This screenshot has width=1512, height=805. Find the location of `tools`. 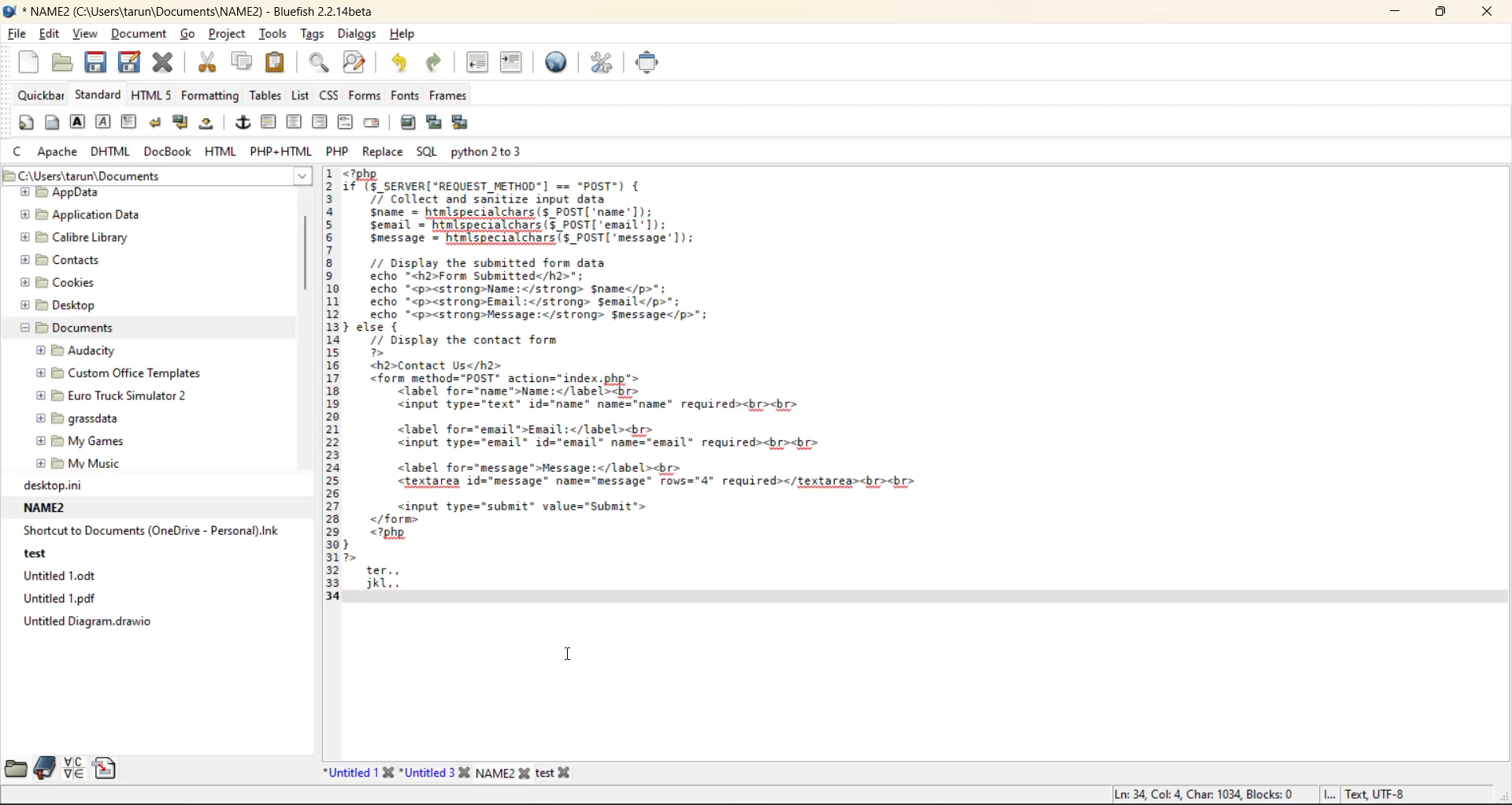

tools is located at coordinates (274, 34).